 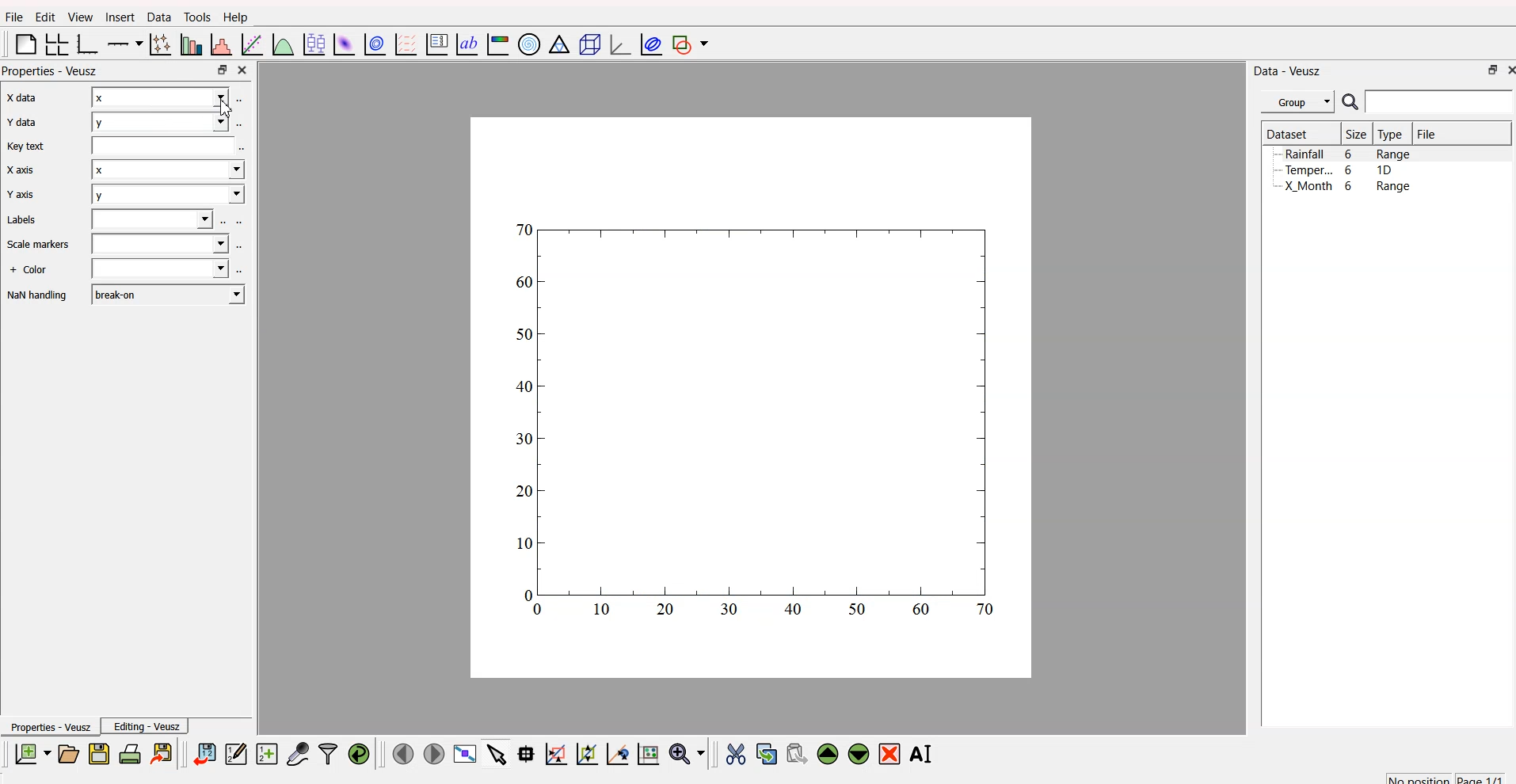 I want to click on save a document, so click(x=97, y=753).